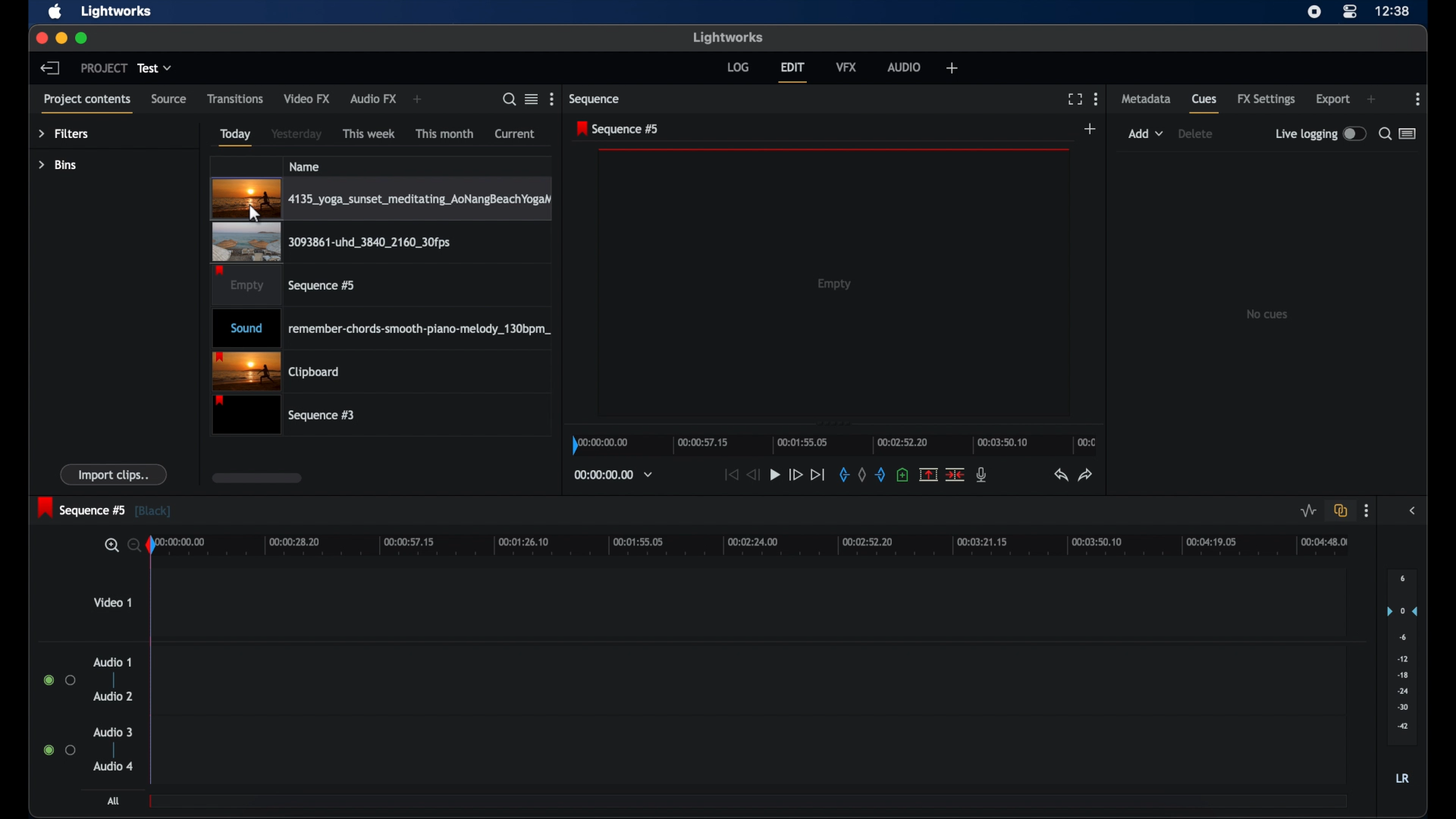 This screenshot has width=1456, height=819. I want to click on audio output level, so click(1402, 652).